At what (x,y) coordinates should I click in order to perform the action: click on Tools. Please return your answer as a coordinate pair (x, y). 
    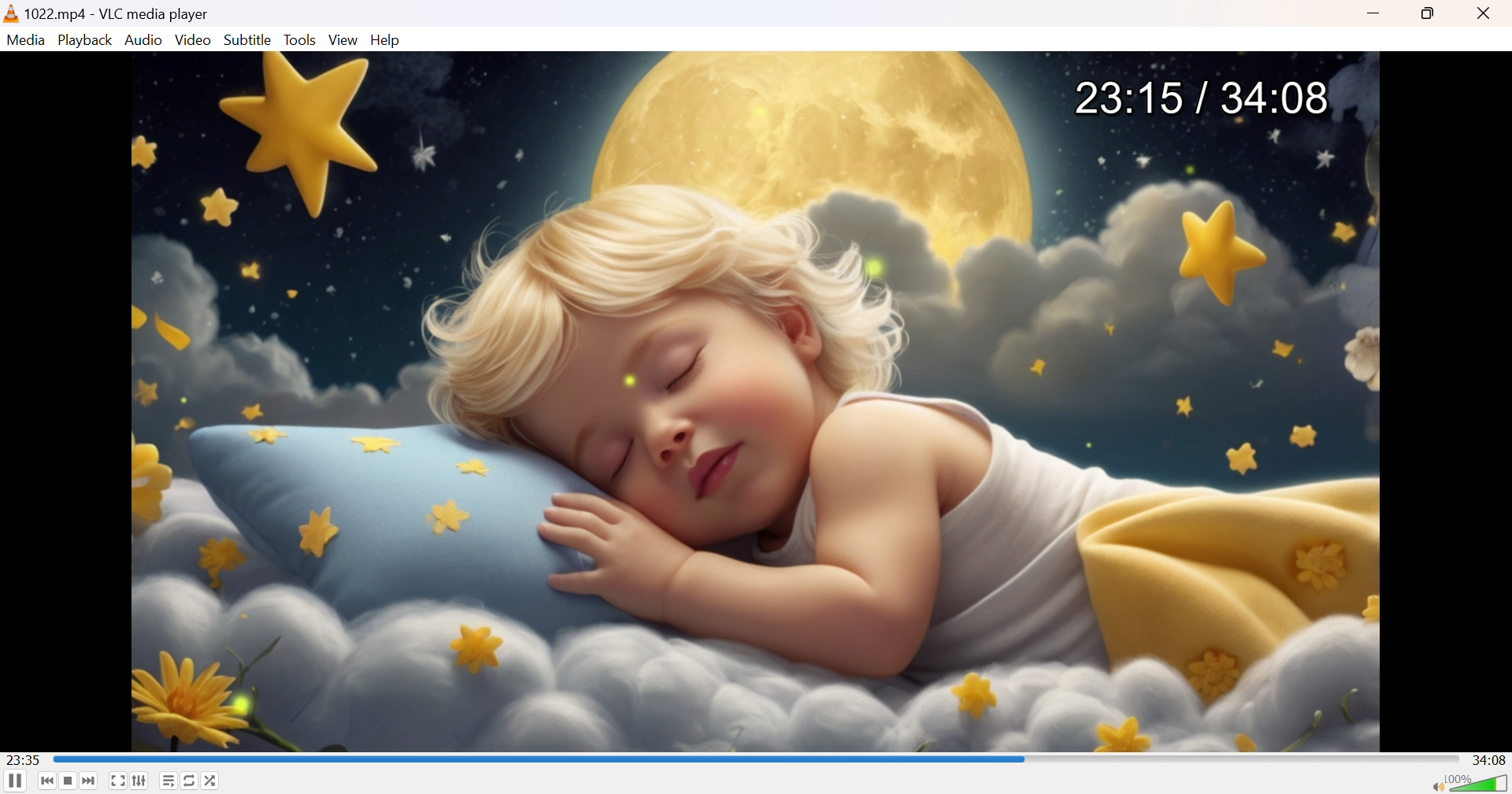
    Looking at the image, I should click on (301, 40).